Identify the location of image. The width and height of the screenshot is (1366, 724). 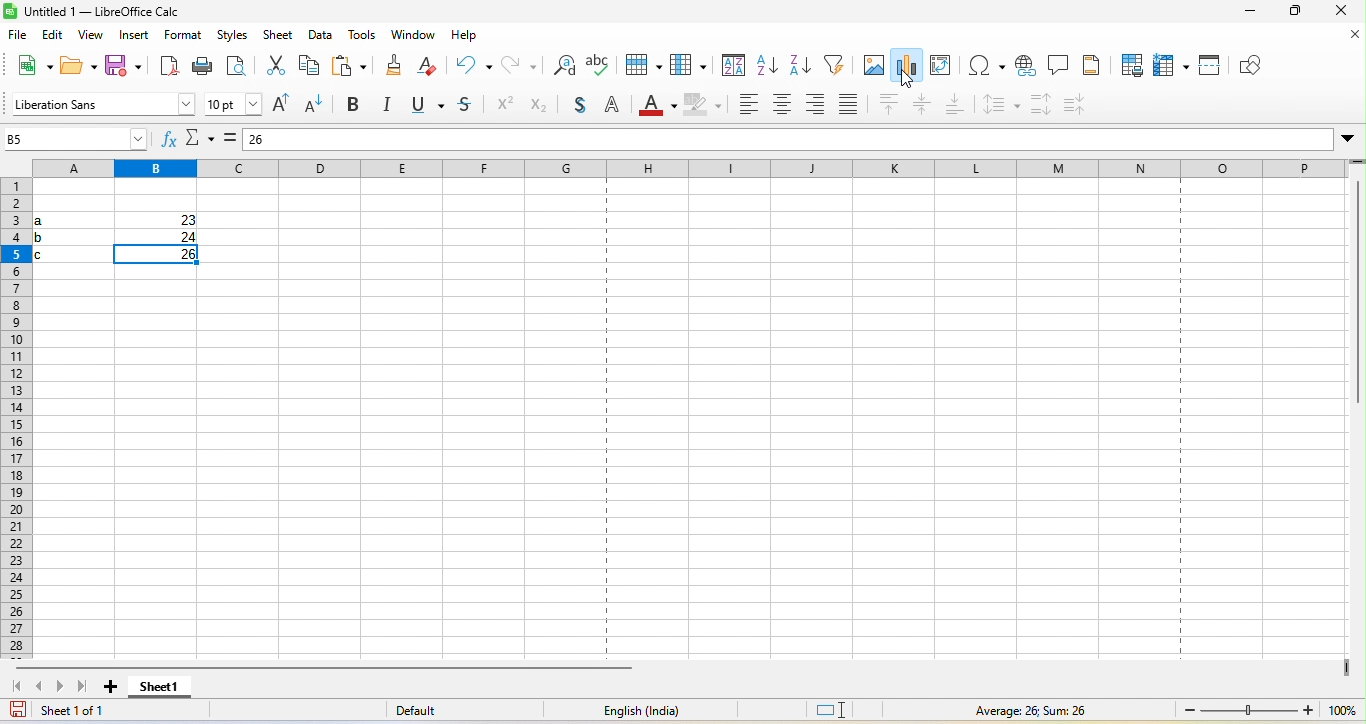
(870, 63).